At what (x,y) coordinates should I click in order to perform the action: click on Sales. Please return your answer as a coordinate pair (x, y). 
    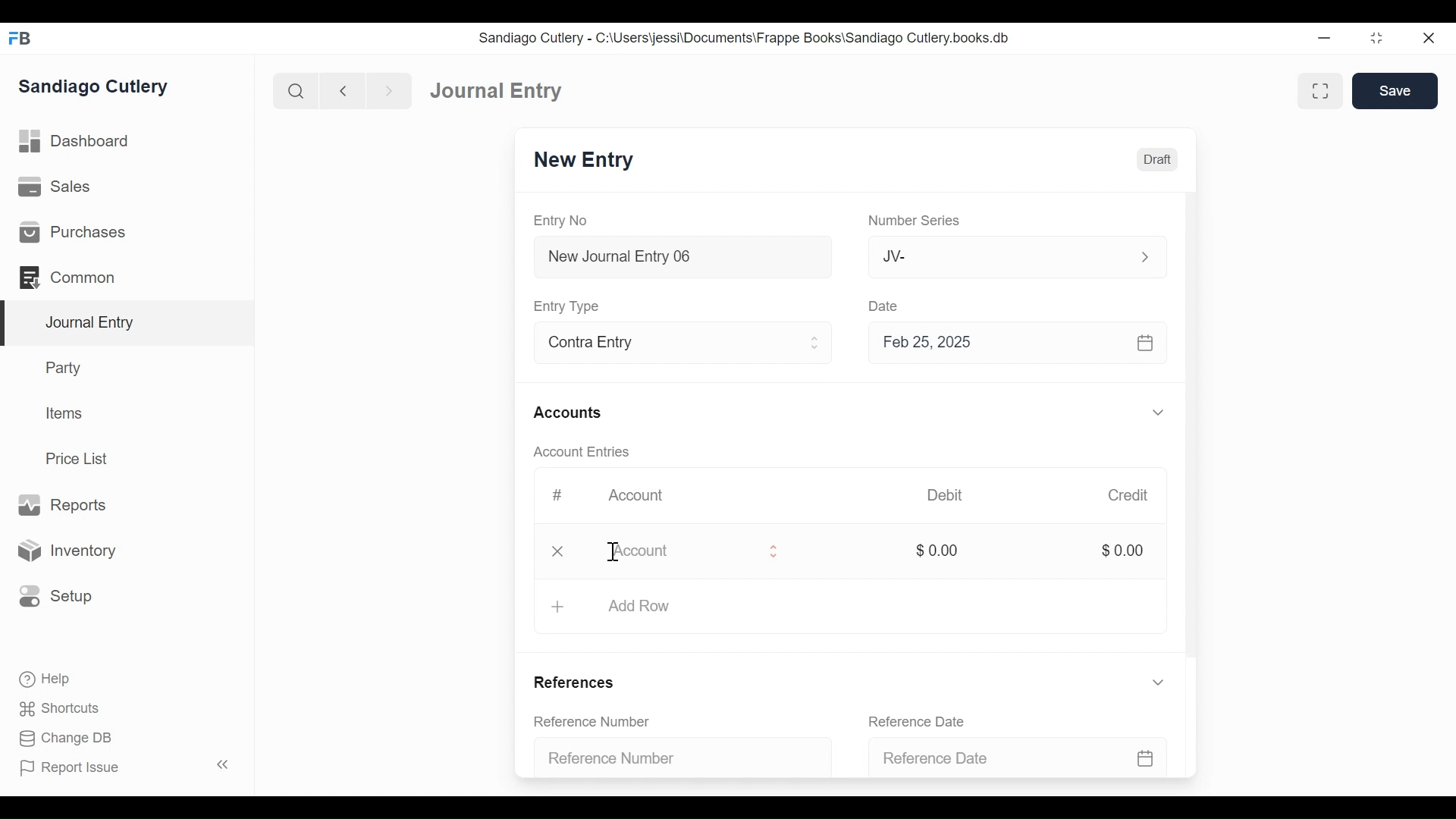
    Looking at the image, I should click on (60, 187).